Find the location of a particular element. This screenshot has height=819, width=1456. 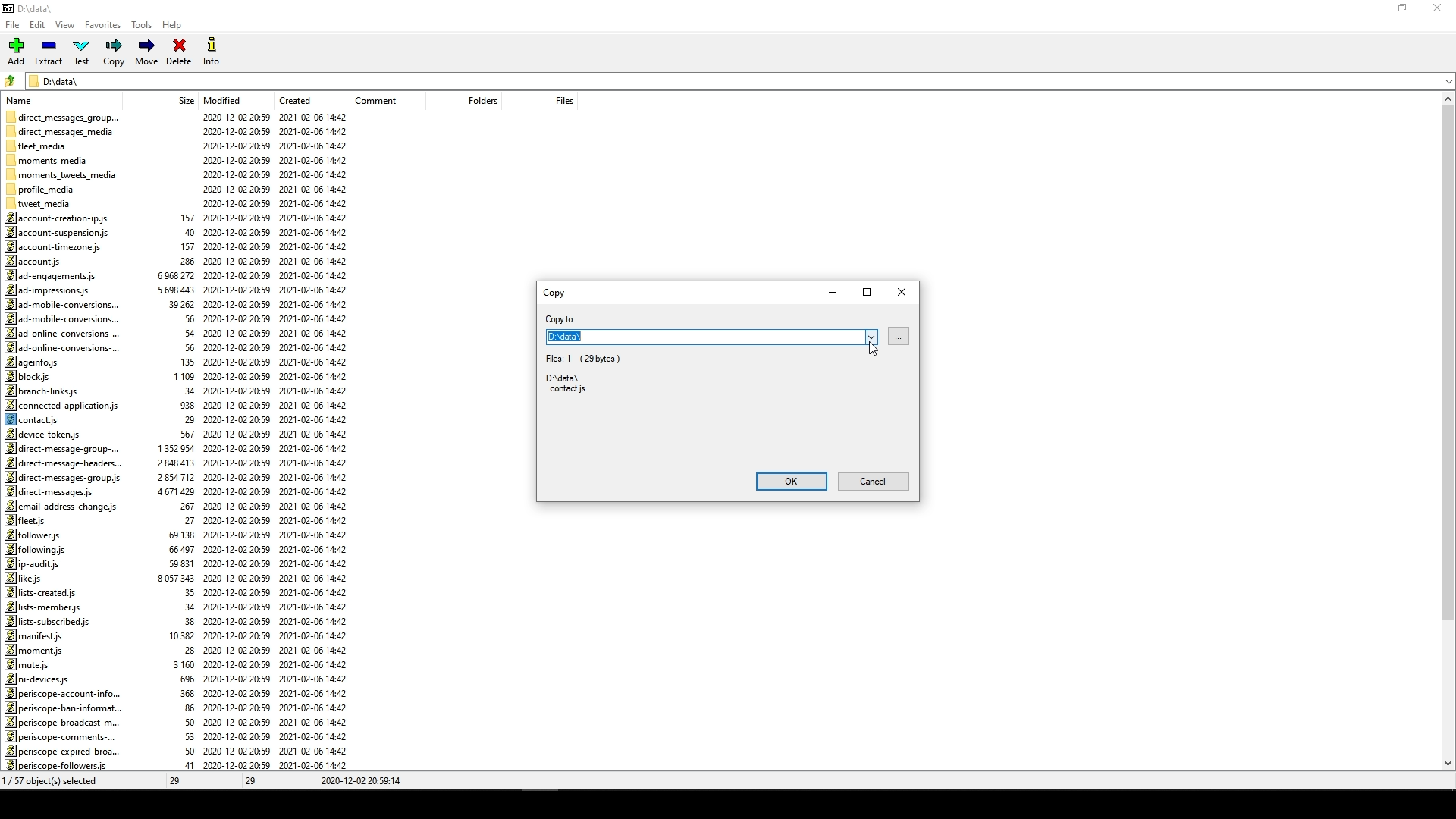

Close is located at coordinates (902, 291).